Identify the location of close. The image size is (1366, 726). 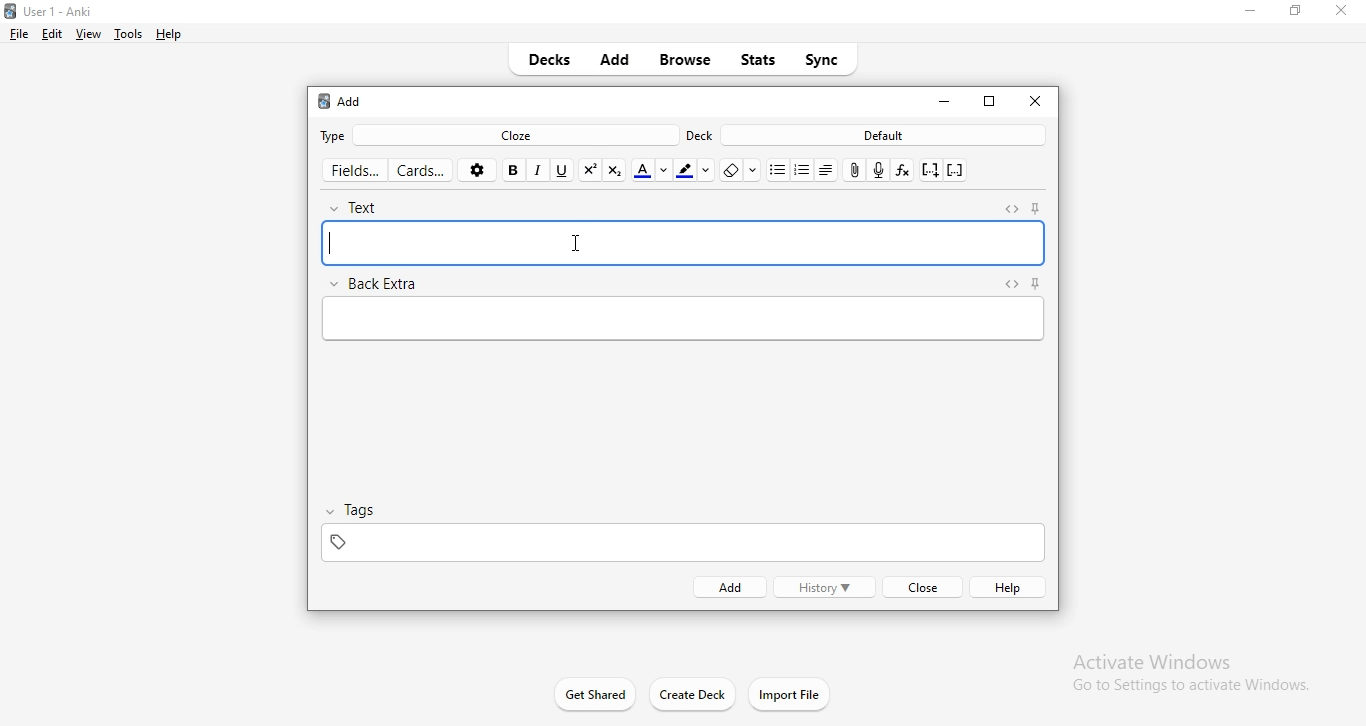
(920, 588).